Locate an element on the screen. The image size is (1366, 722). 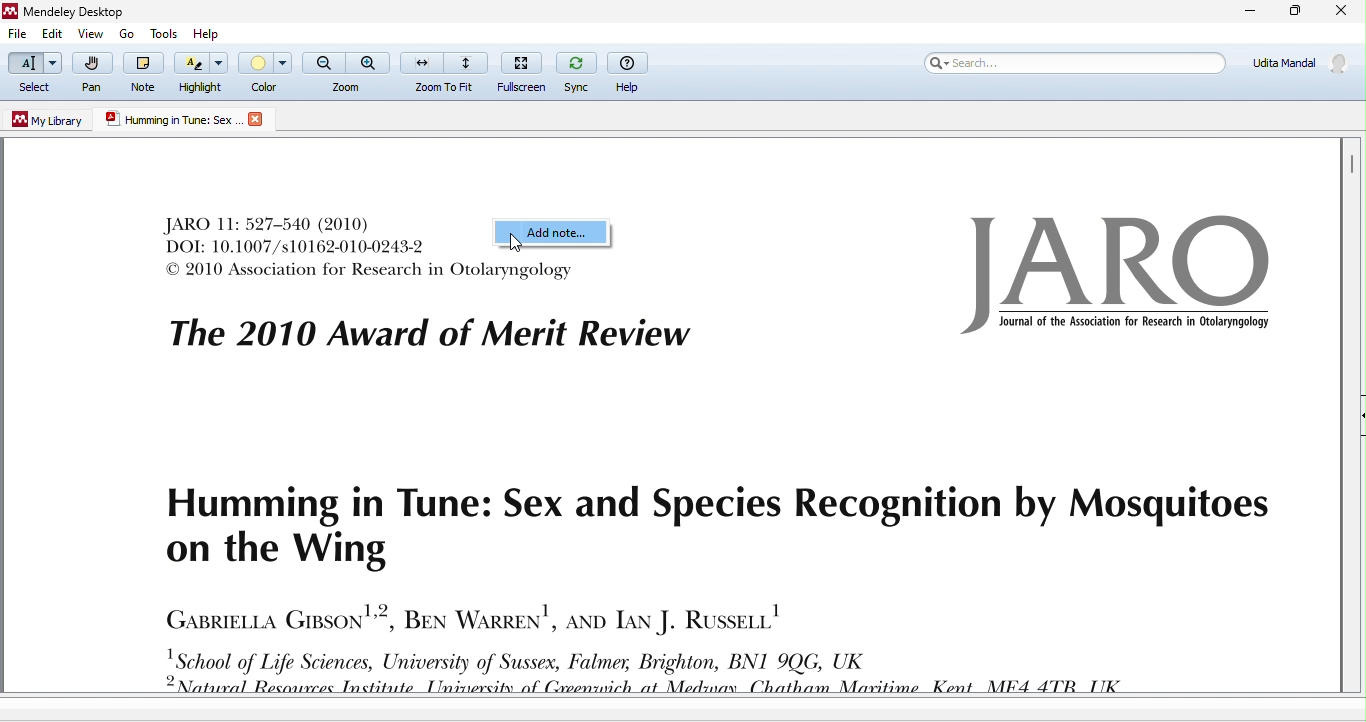
close is located at coordinates (1340, 12).